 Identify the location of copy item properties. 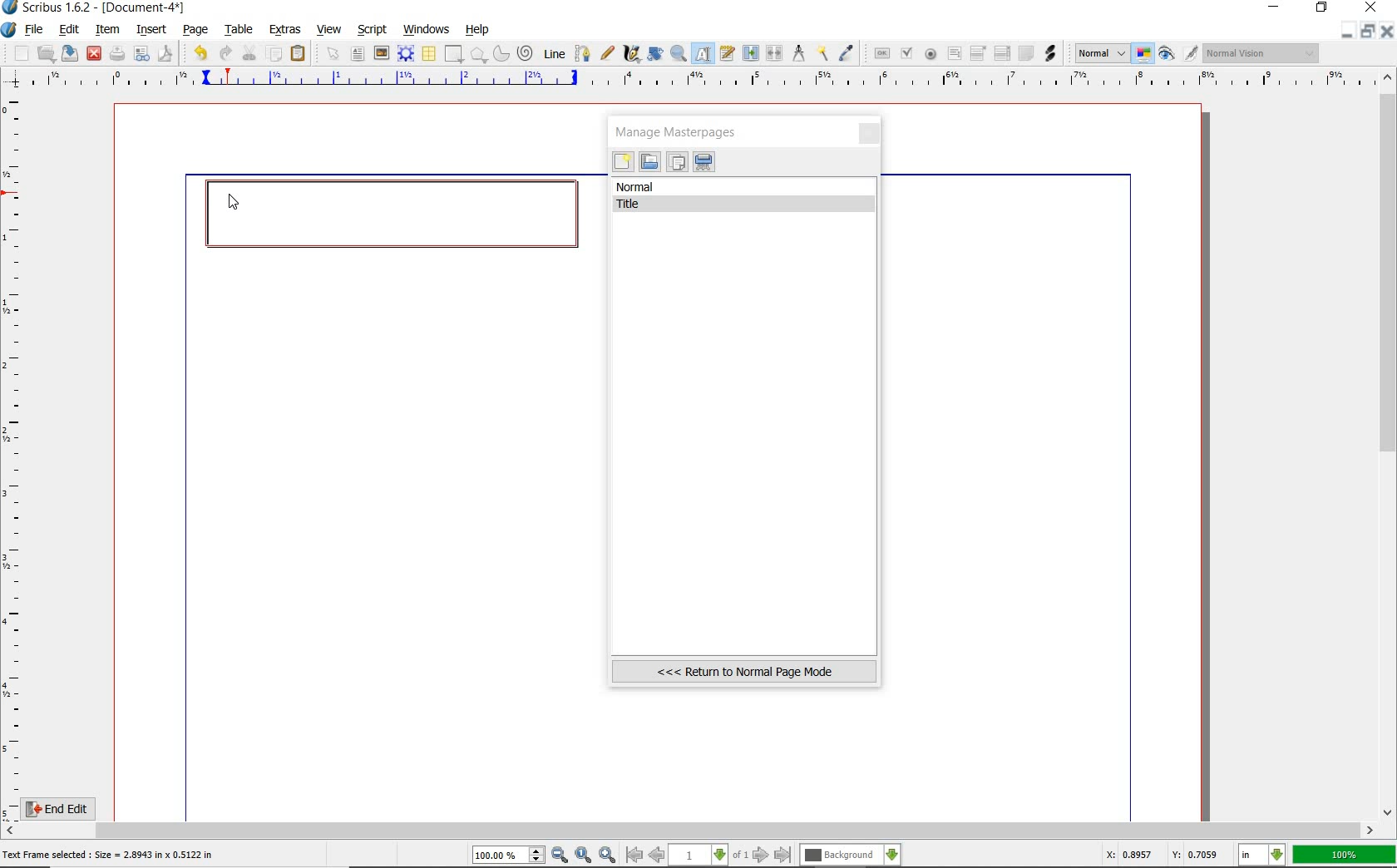
(824, 52).